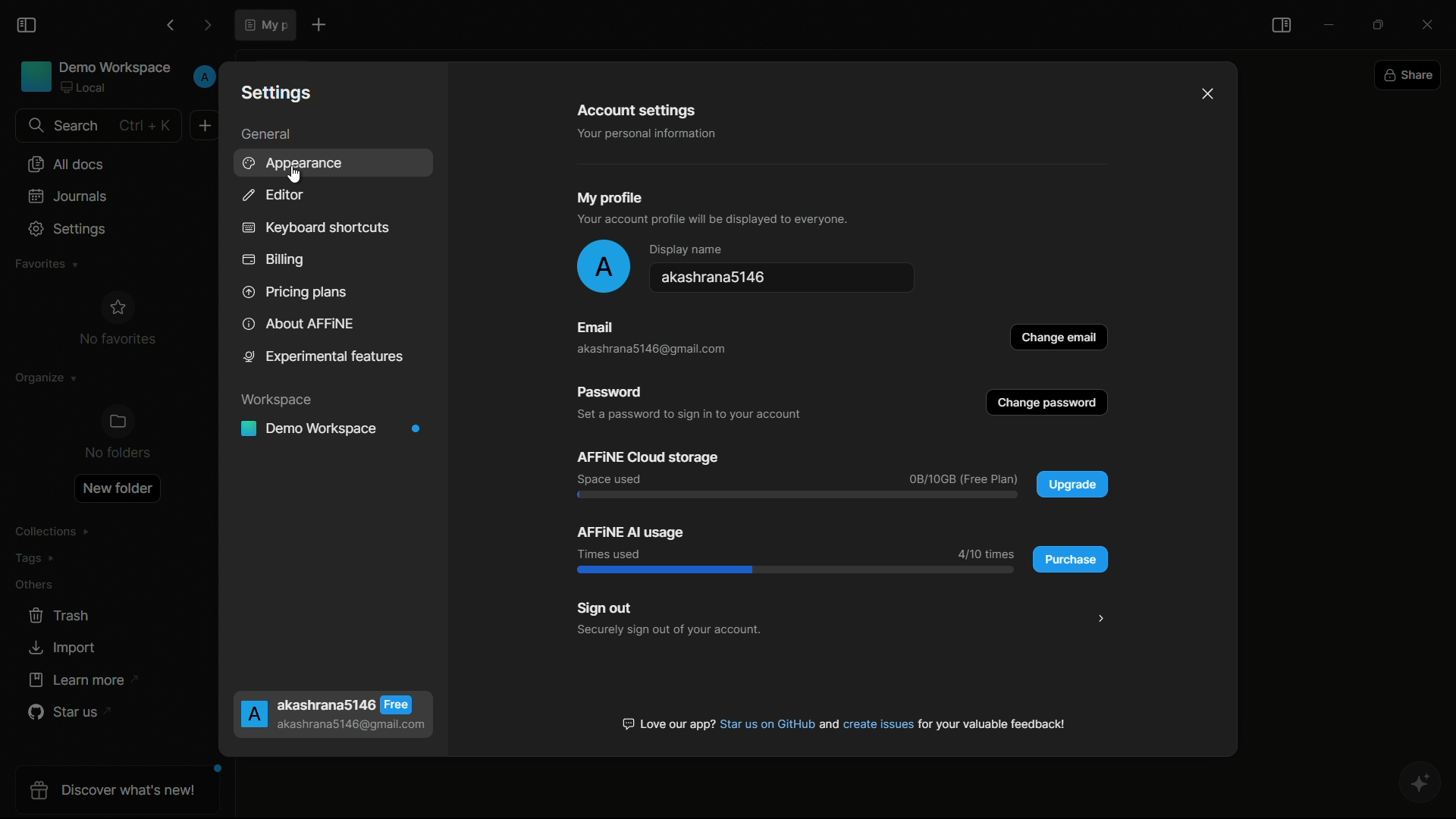 The height and width of the screenshot is (819, 1456). I want to click on Settings, so click(279, 91).